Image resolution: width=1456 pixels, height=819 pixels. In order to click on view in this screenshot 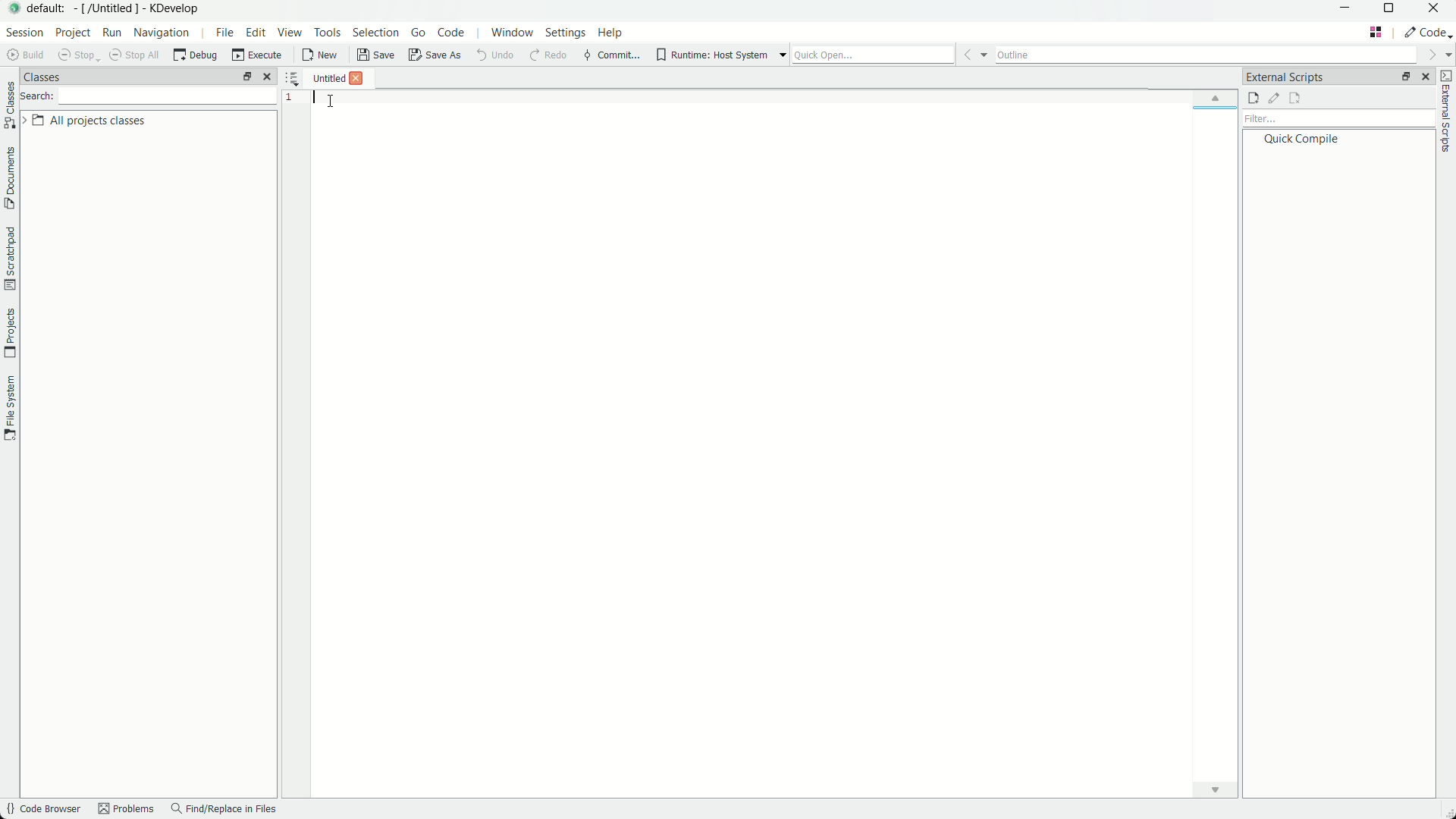, I will do `click(289, 33)`.